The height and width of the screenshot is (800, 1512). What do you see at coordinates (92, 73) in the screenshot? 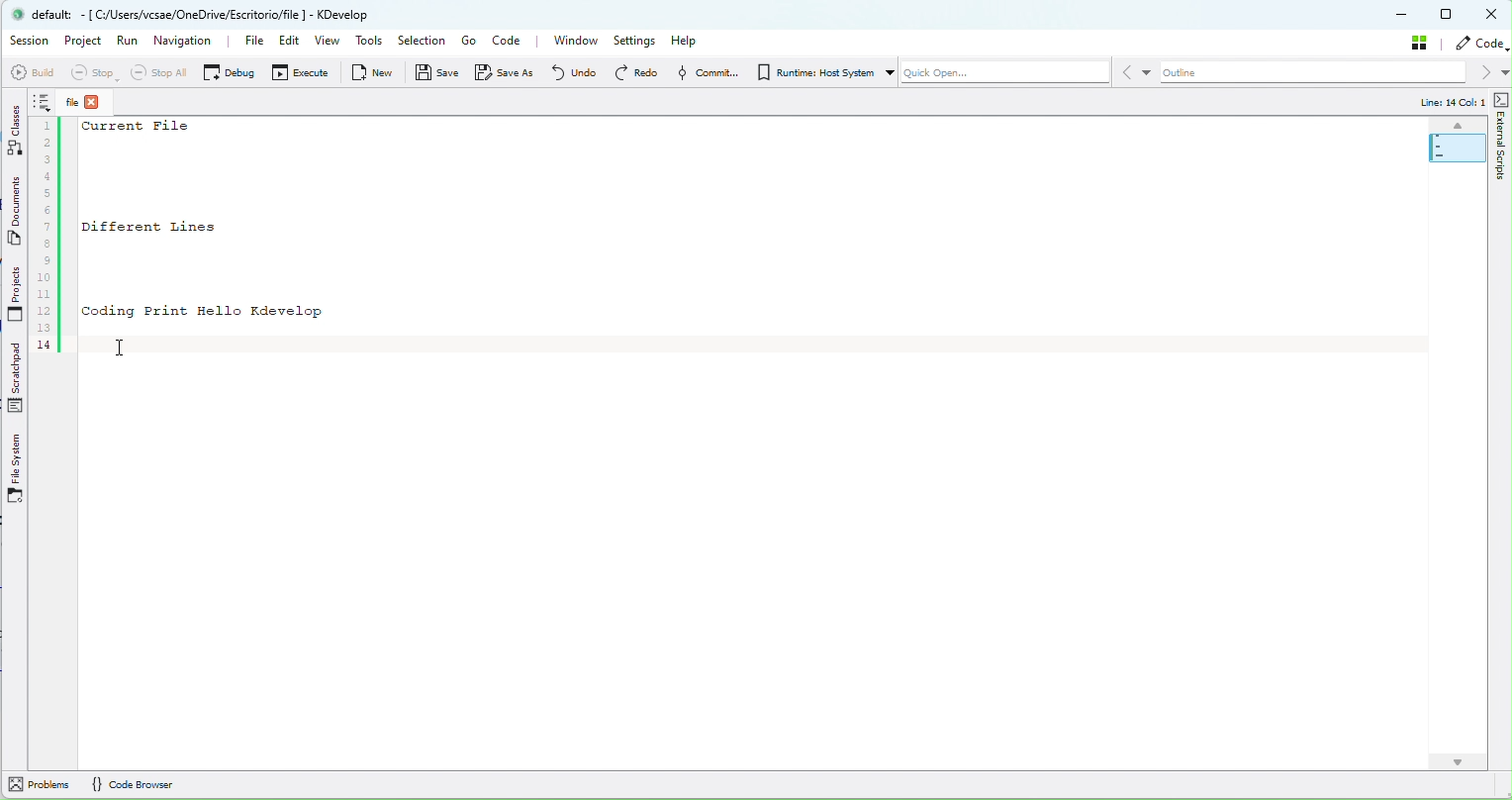
I see `stop` at bounding box center [92, 73].